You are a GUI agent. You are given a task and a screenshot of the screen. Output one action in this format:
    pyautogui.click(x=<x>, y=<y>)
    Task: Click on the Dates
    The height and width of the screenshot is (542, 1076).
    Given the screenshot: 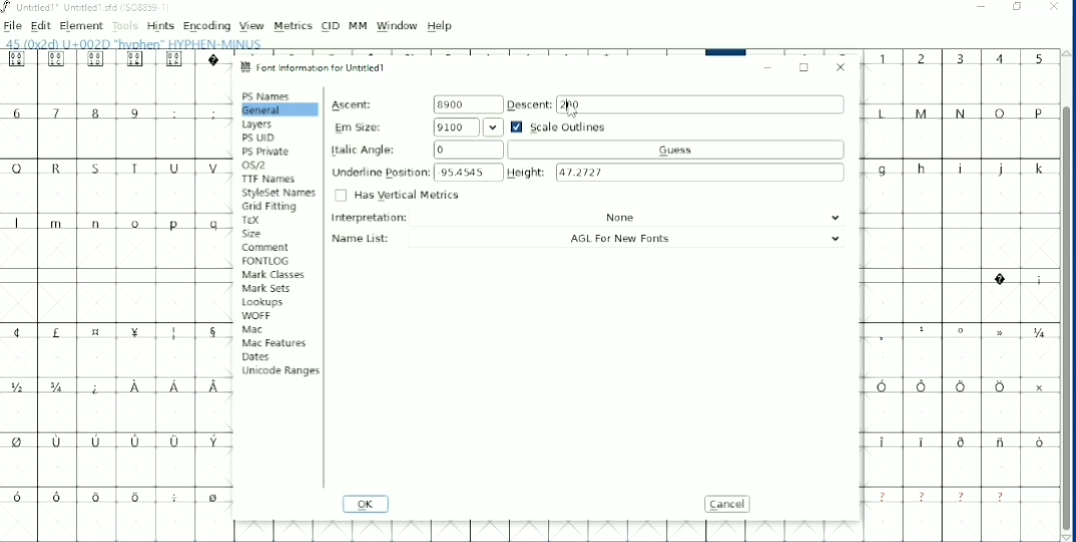 What is the action you would take?
    pyautogui.click(x=255, y=357)
    